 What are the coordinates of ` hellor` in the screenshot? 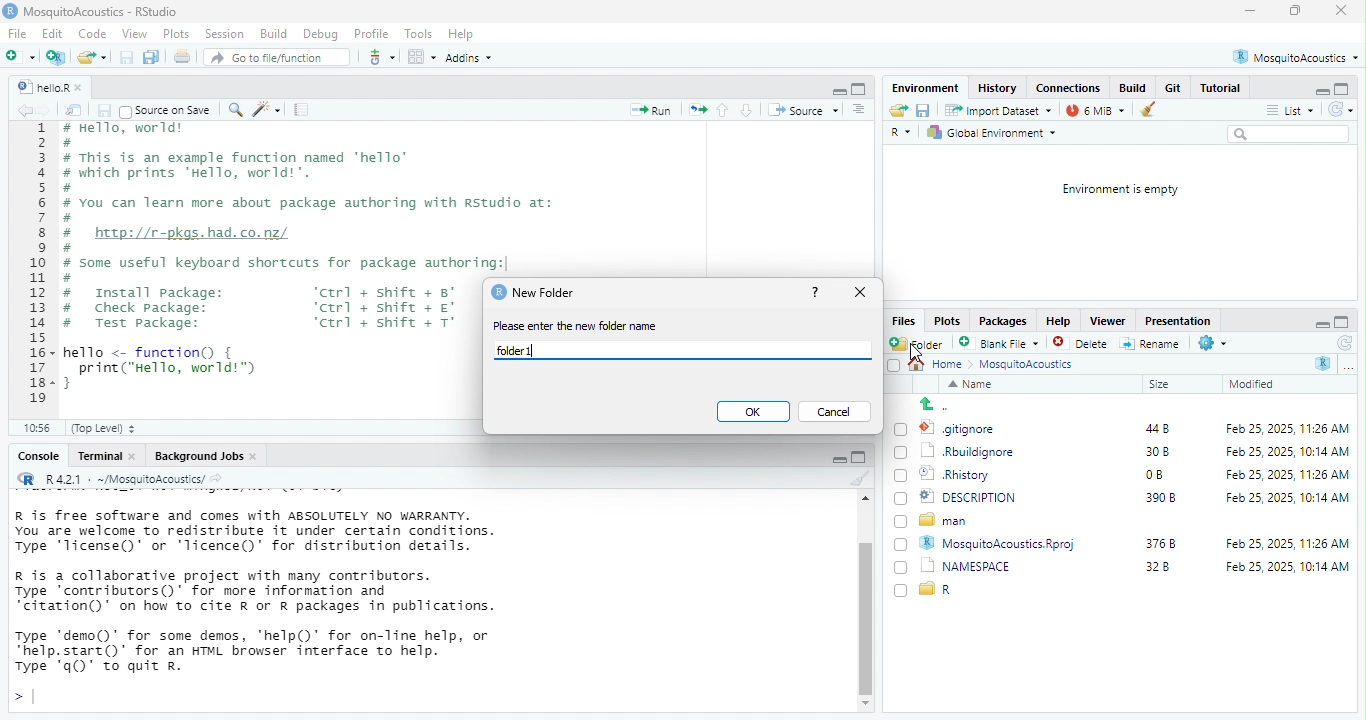 It's located at (41, 88).